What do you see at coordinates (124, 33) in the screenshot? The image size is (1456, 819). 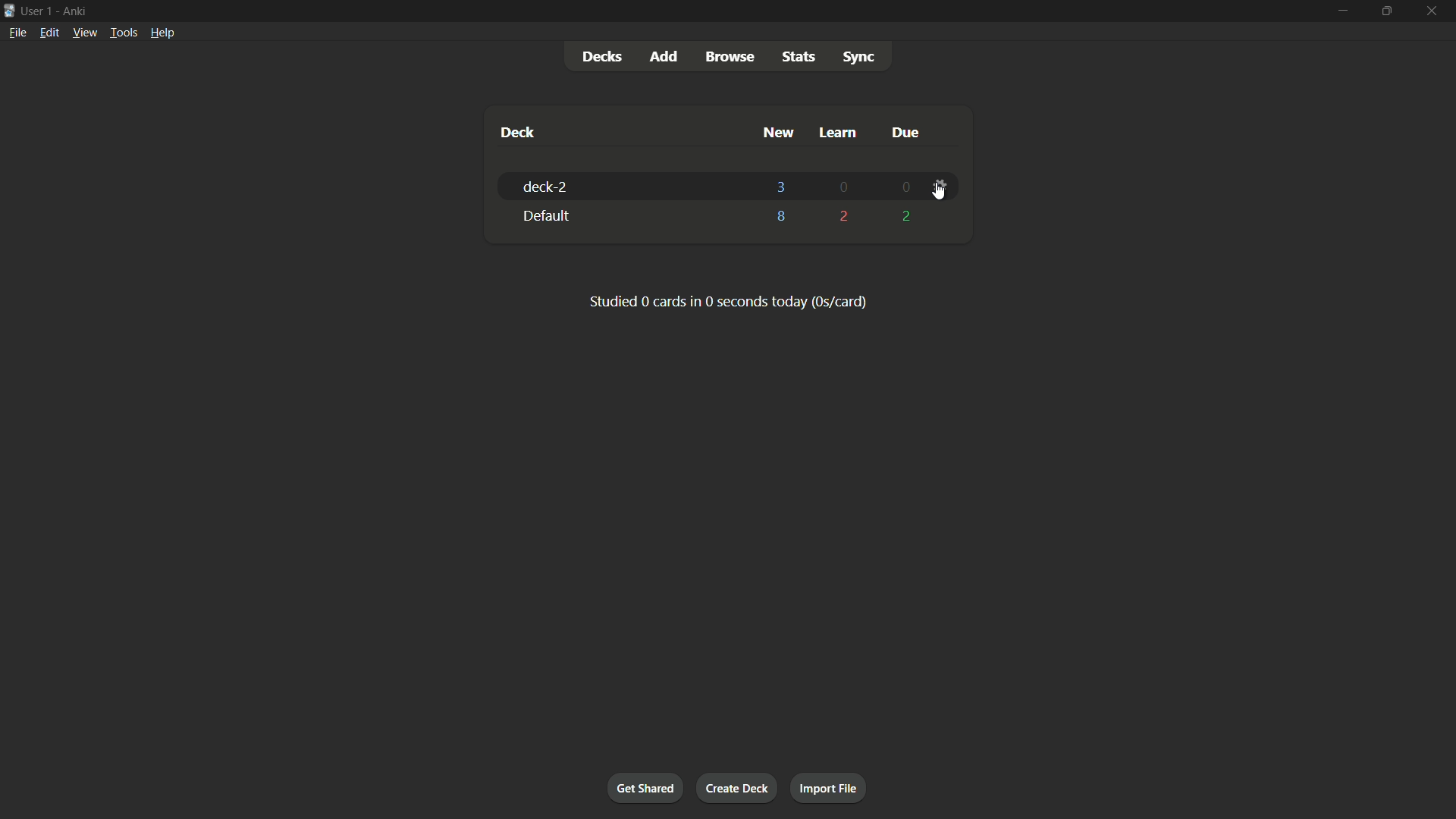 I see `tools menu` at bounding box center [124, 33].